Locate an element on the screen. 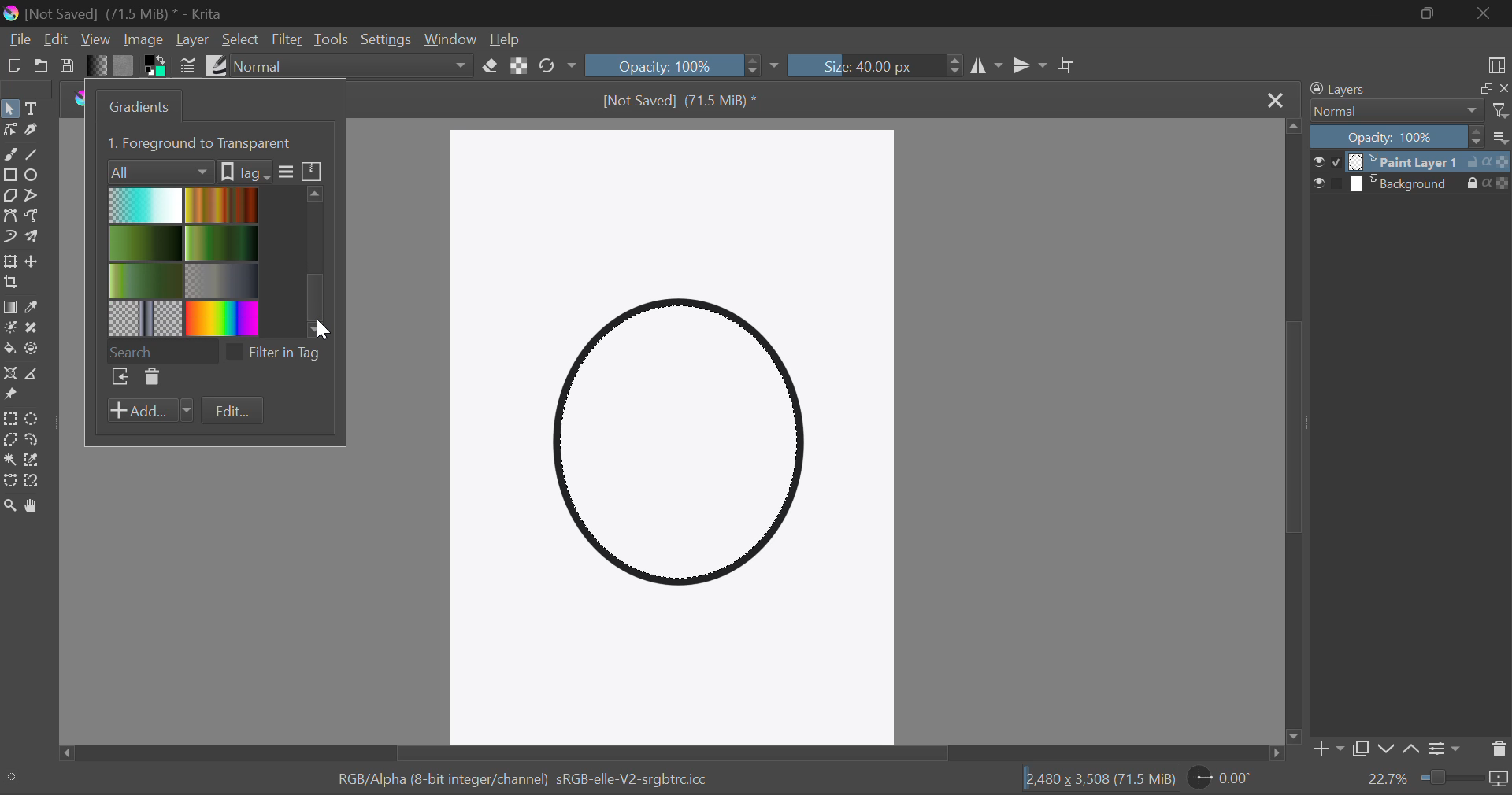 The width and height of the screenshot is (1512, 795). Reference Images is located at coordinates (10, 396).